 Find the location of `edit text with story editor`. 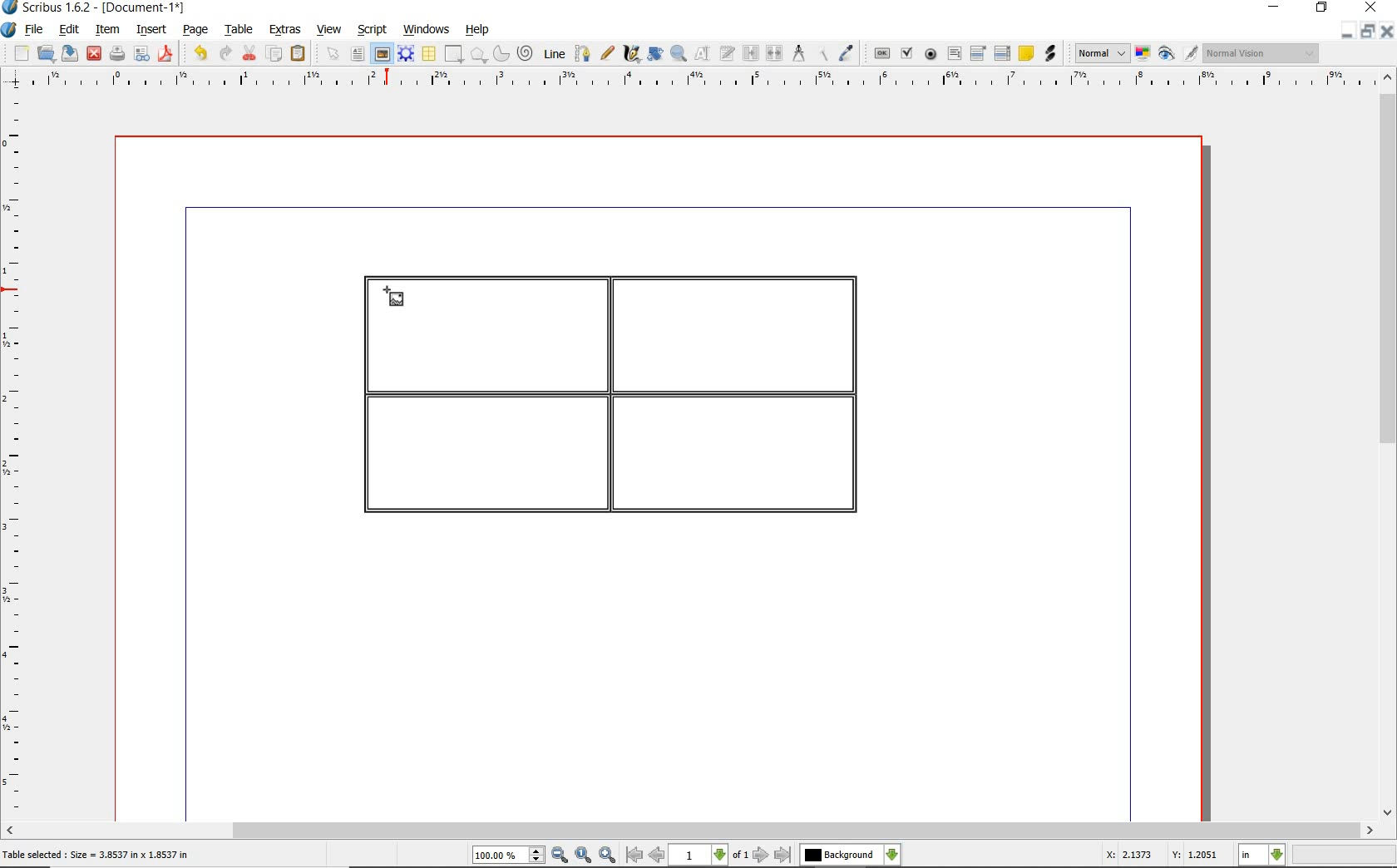

edit text with story editor is located at coordinates (728, 52).